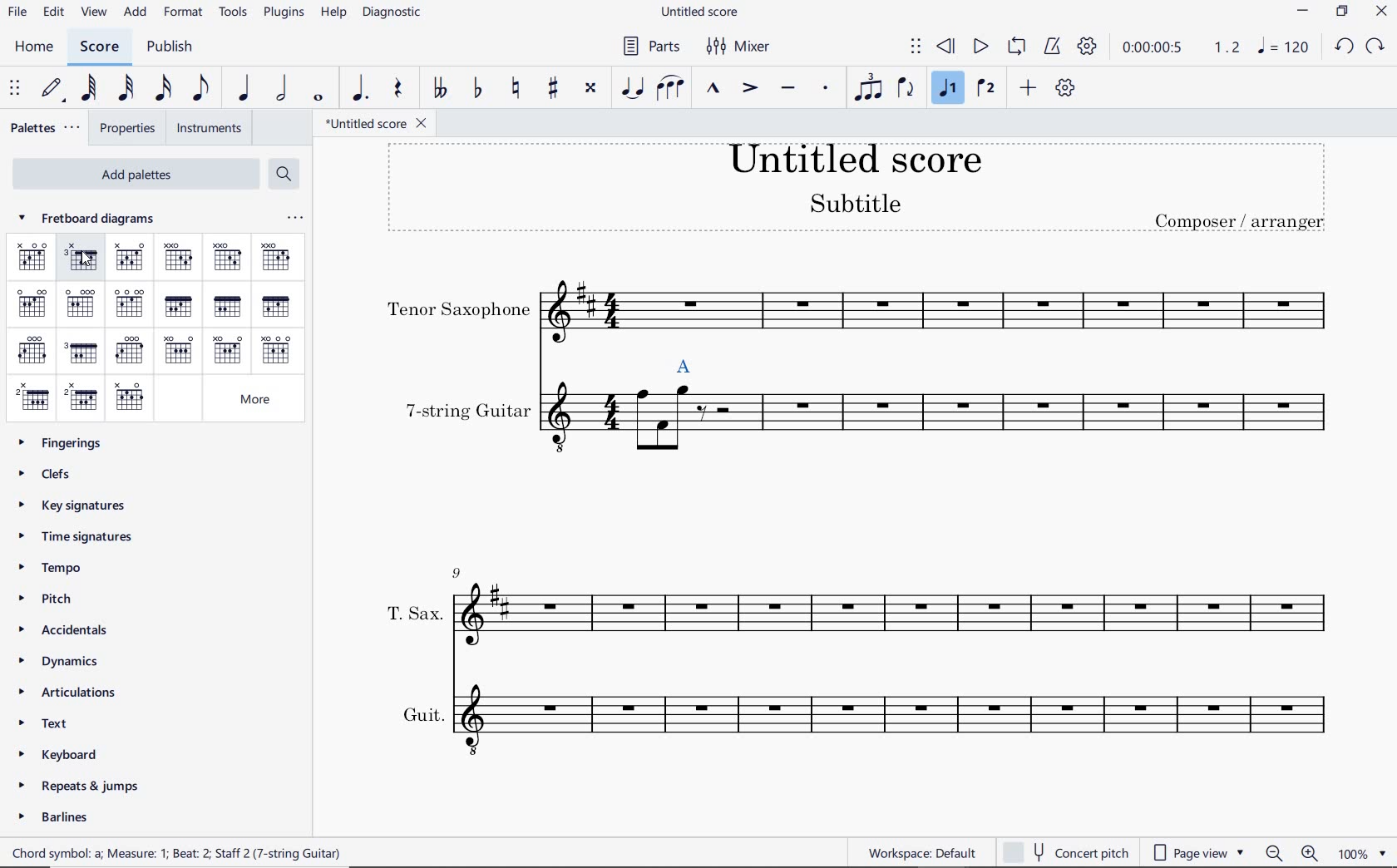 This screenshot has width=1397, height=868. What do you see at coordinates (394, 15) in the screenshot?
I see `DIAGNOSTIC` at bounding box center [394, 15].